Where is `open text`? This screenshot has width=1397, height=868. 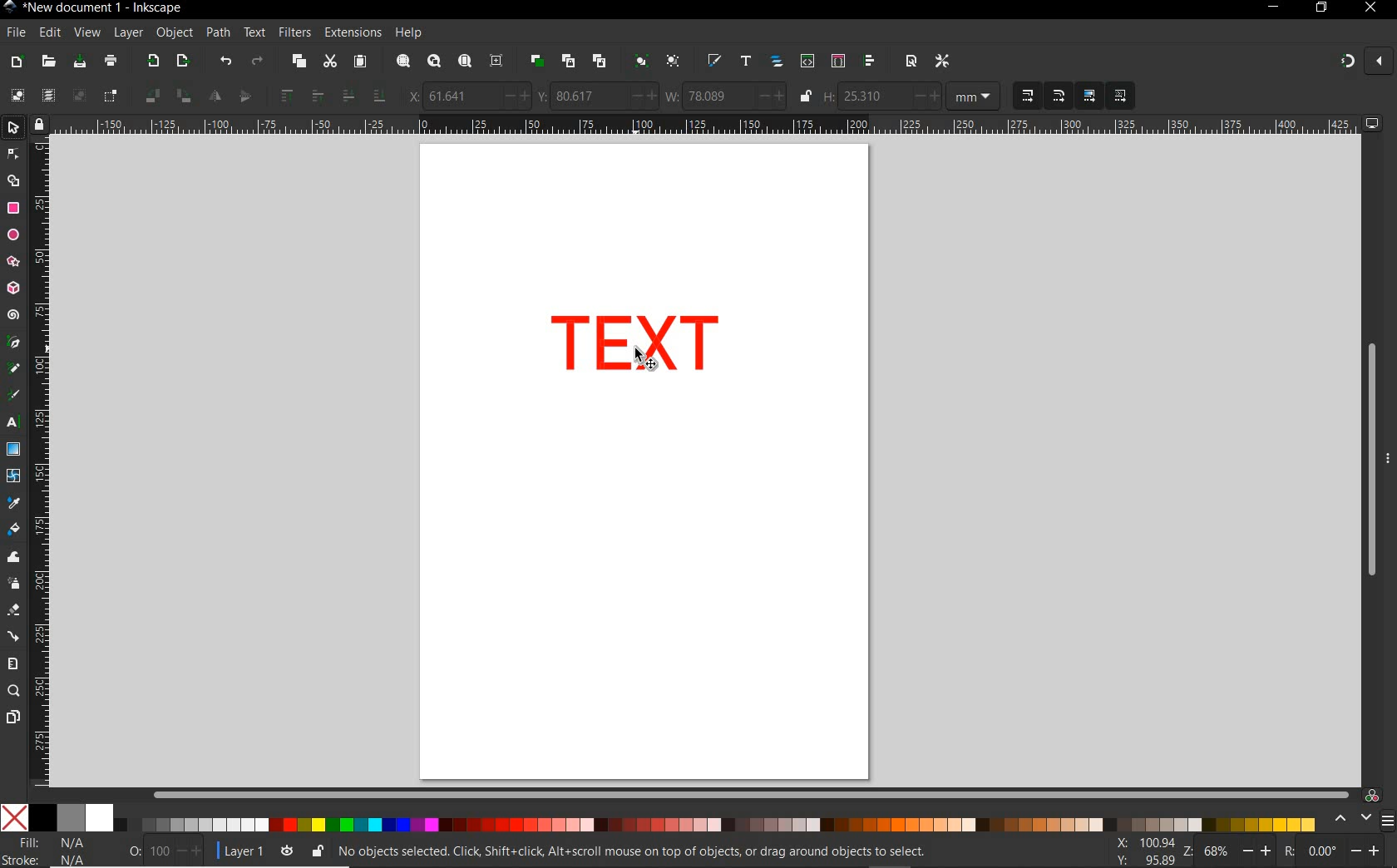 open text is located at coordinates (746, 62).